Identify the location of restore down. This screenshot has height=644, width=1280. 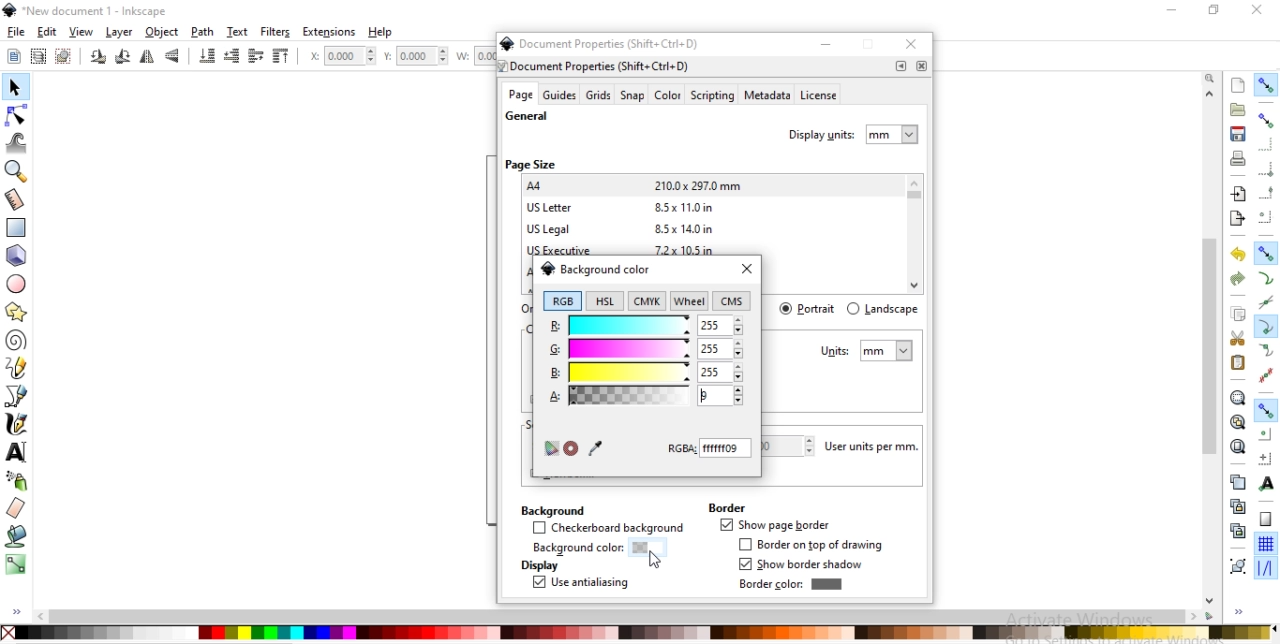
(1210, 9).